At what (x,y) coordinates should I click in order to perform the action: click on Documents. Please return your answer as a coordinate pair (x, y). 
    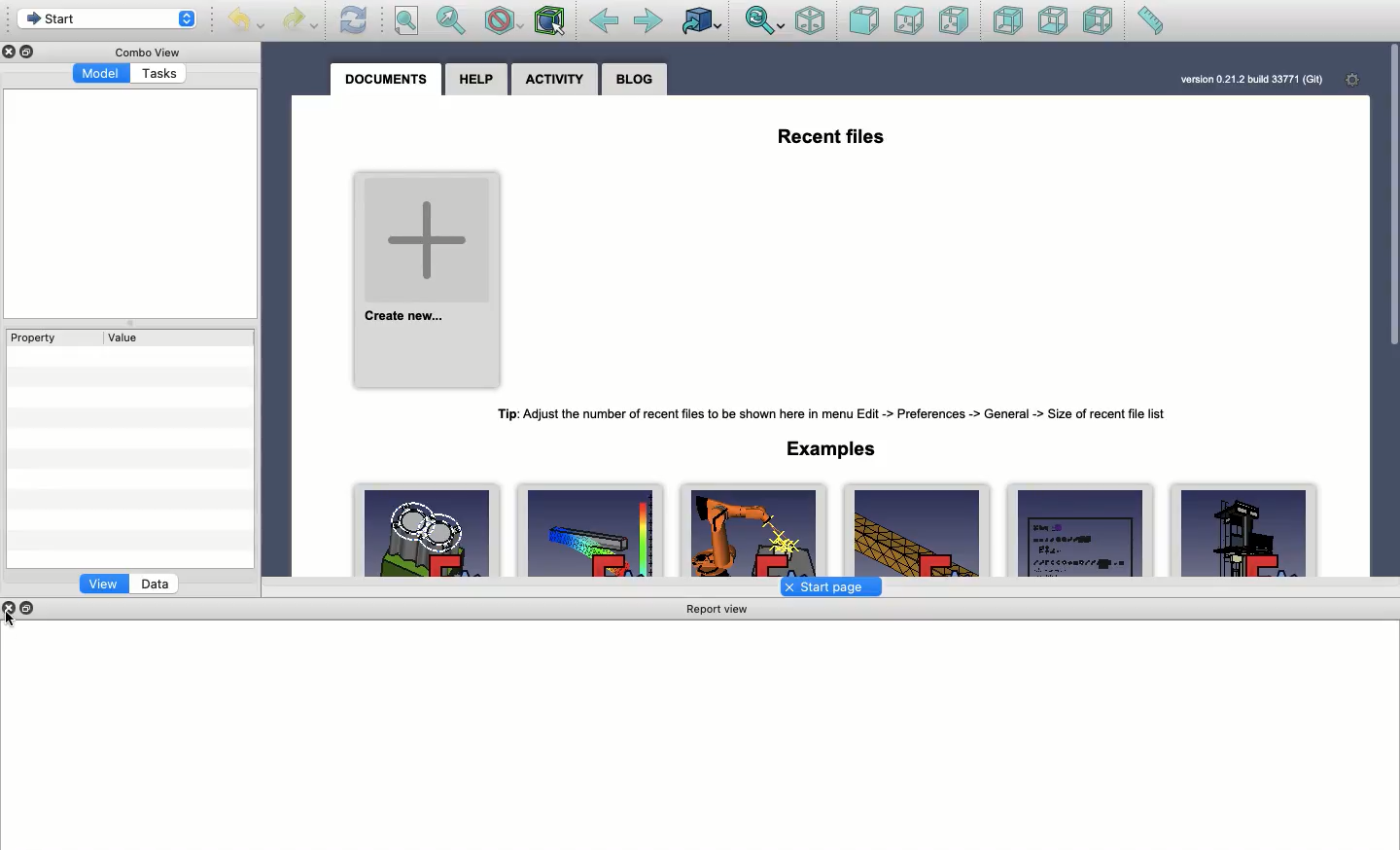
    Looking at the image, I should click on (387, 82).